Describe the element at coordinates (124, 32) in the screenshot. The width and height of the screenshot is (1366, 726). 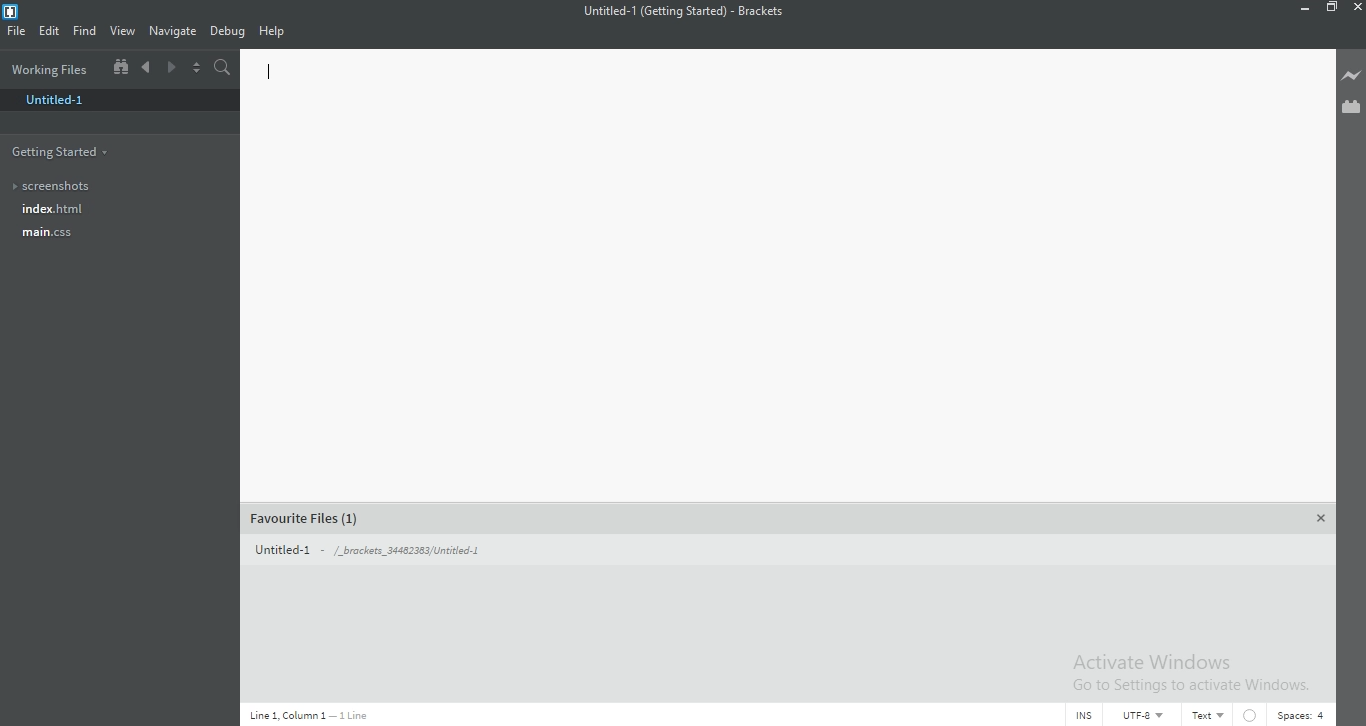
I see `View` at that location.